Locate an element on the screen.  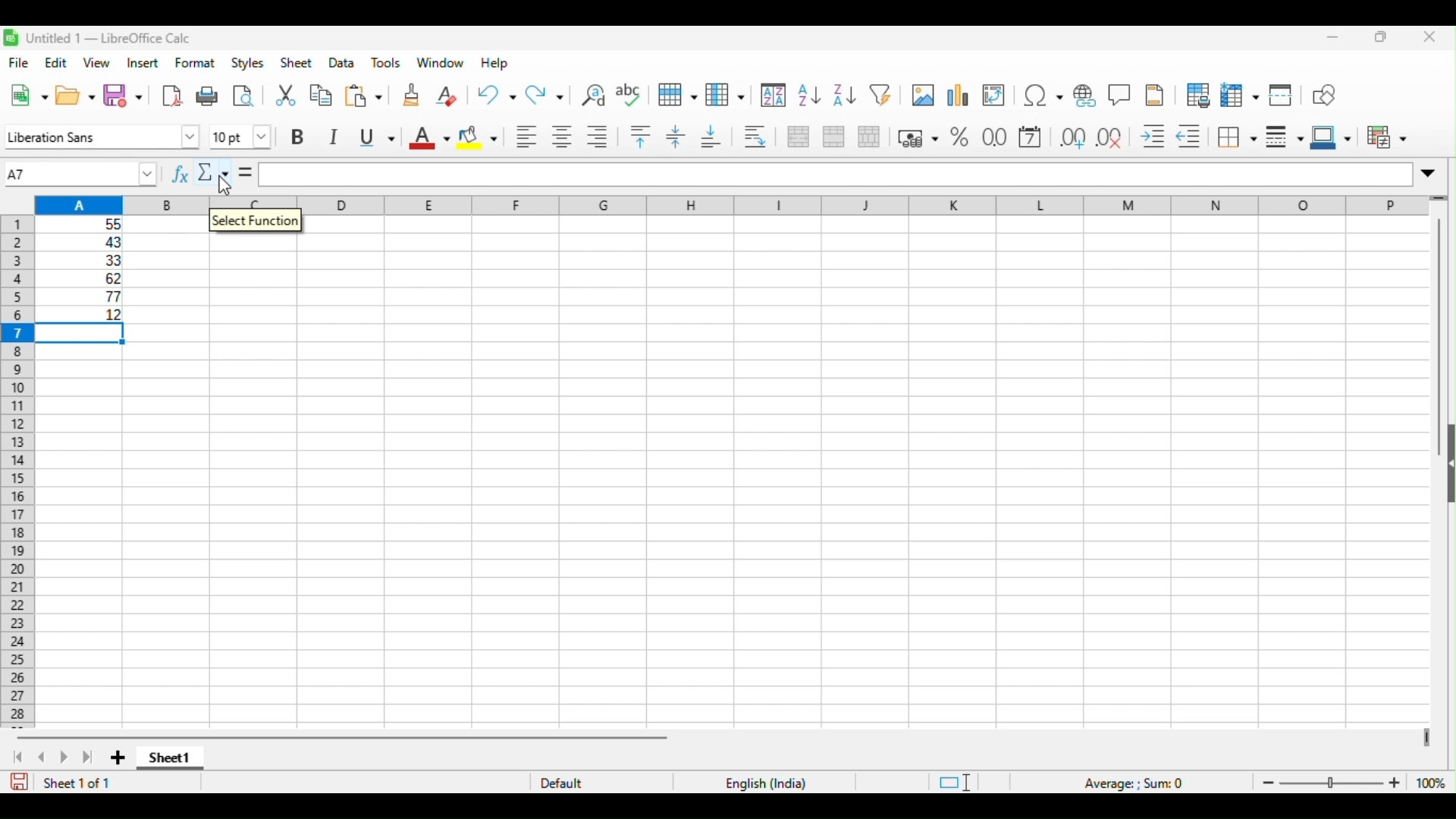
formula is located at coordinates (1136, 783).